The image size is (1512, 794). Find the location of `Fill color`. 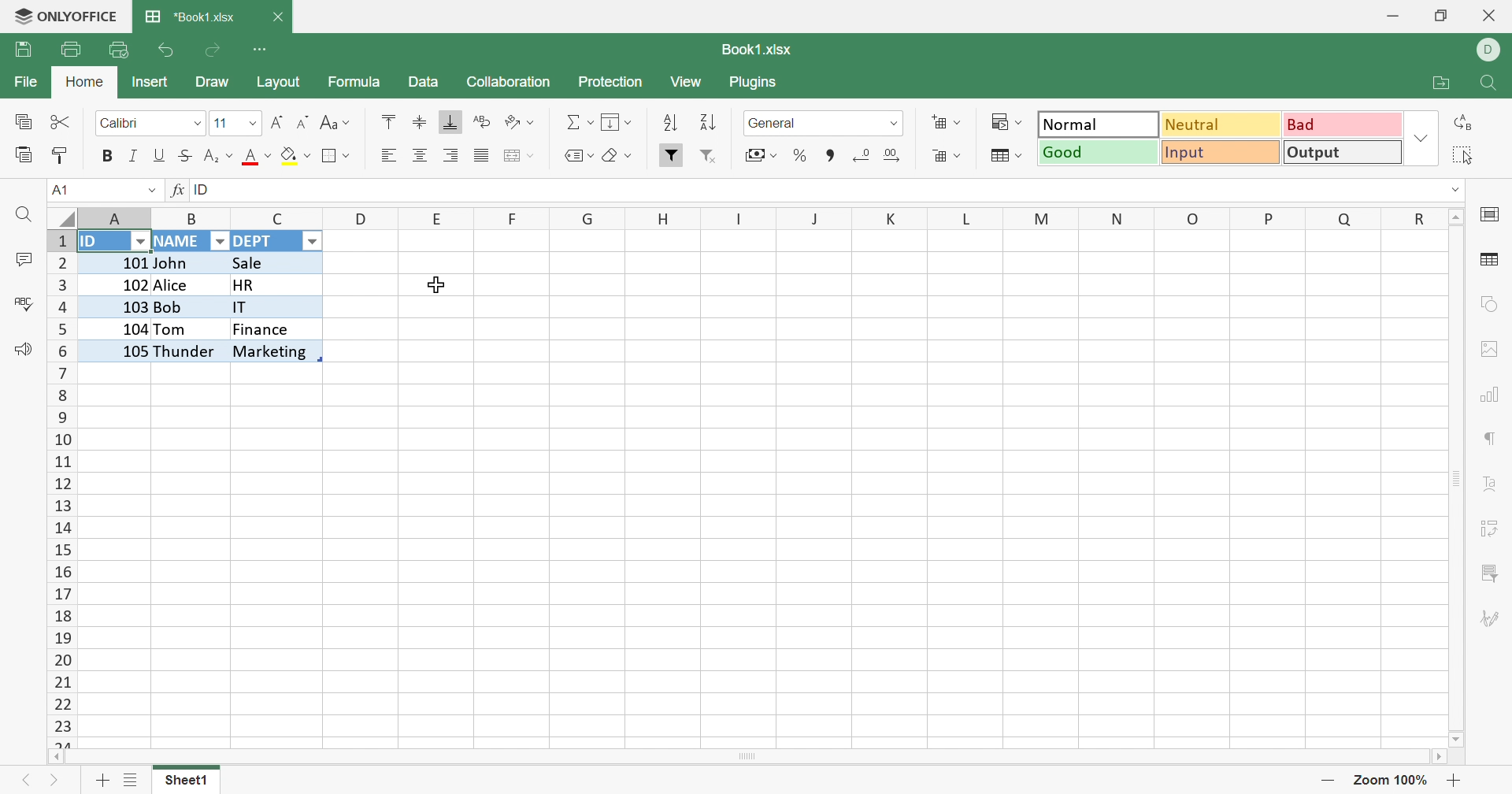

Fill color is located at coordinates (296, 155).